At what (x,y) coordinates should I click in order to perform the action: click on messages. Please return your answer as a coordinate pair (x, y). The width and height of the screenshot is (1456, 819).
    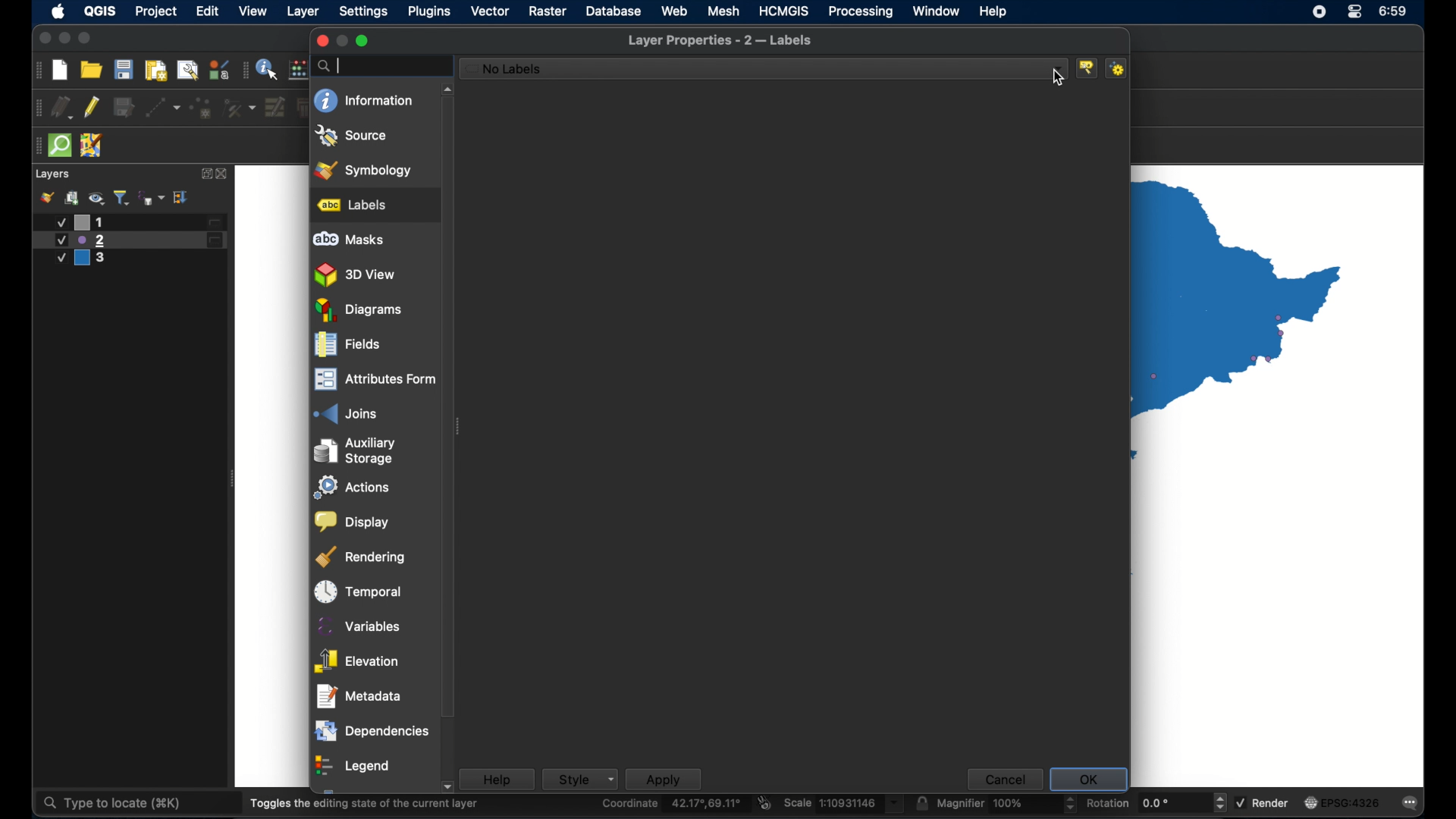
    Looking at the image, I should click on (1411, 804).